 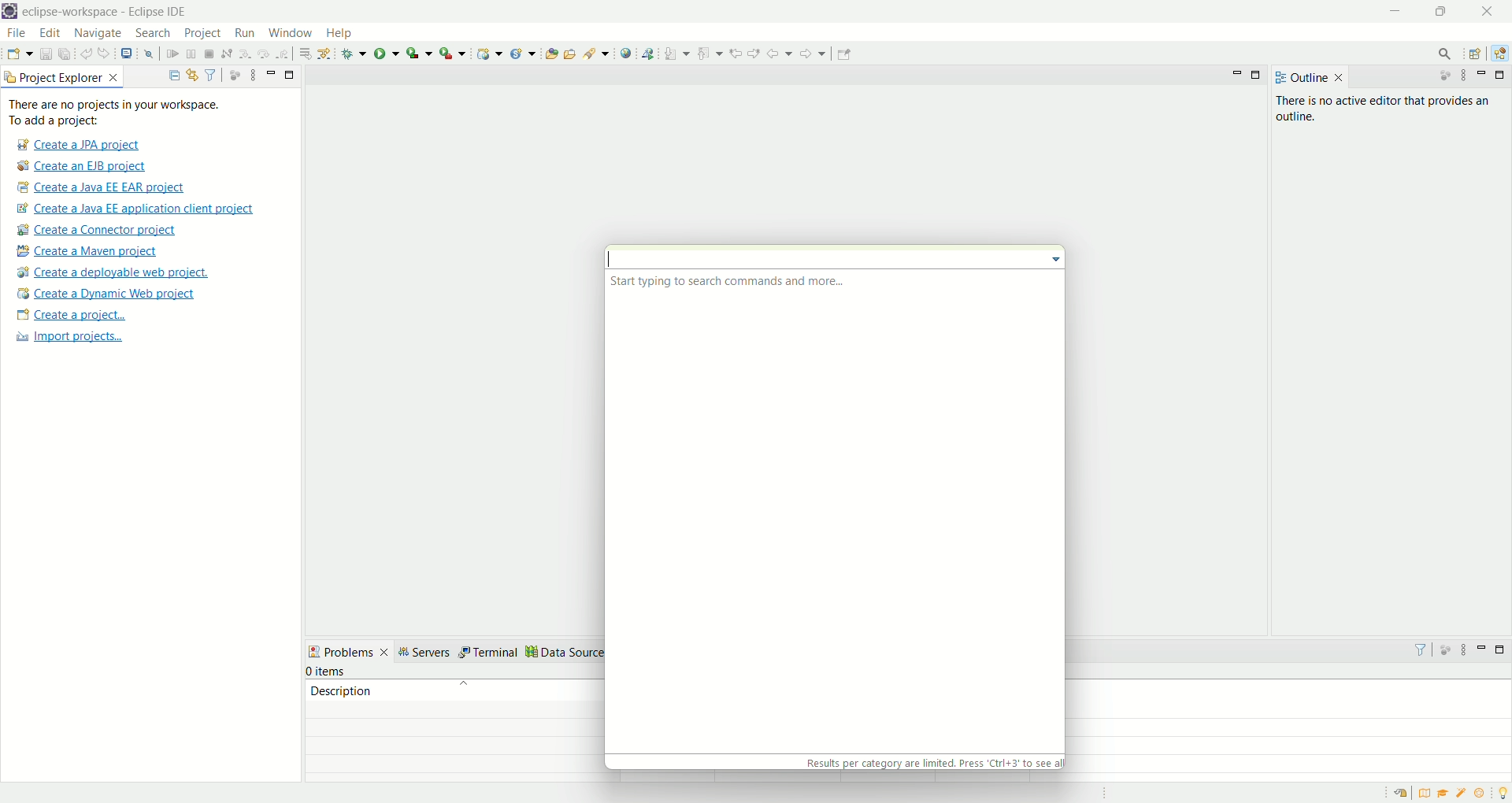 What do you see at coordinates (172, 75) in the screenshot?
I see `collapse all` at bounding box center [172, 75].